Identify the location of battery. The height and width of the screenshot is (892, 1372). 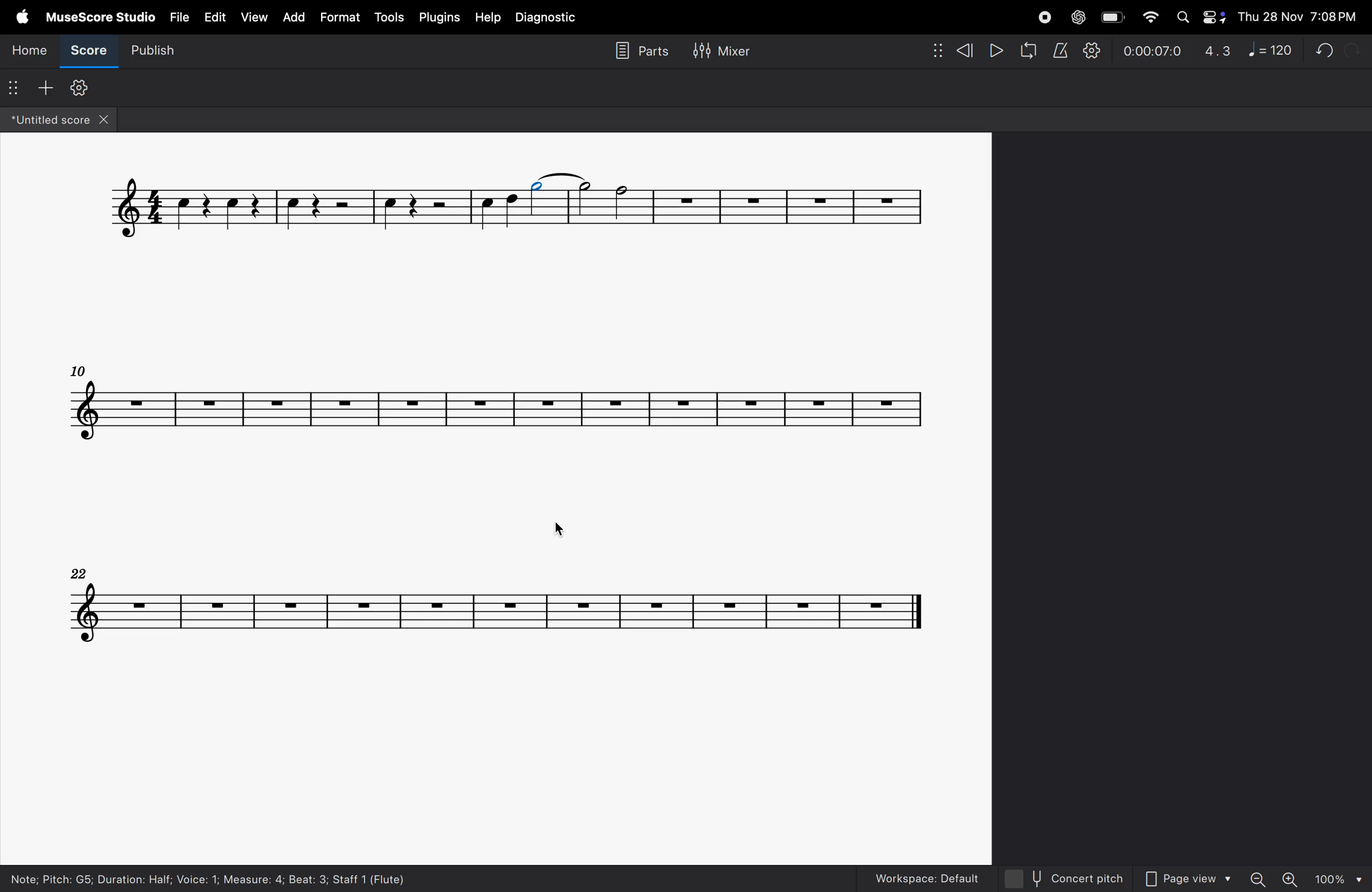
(1111, 18).